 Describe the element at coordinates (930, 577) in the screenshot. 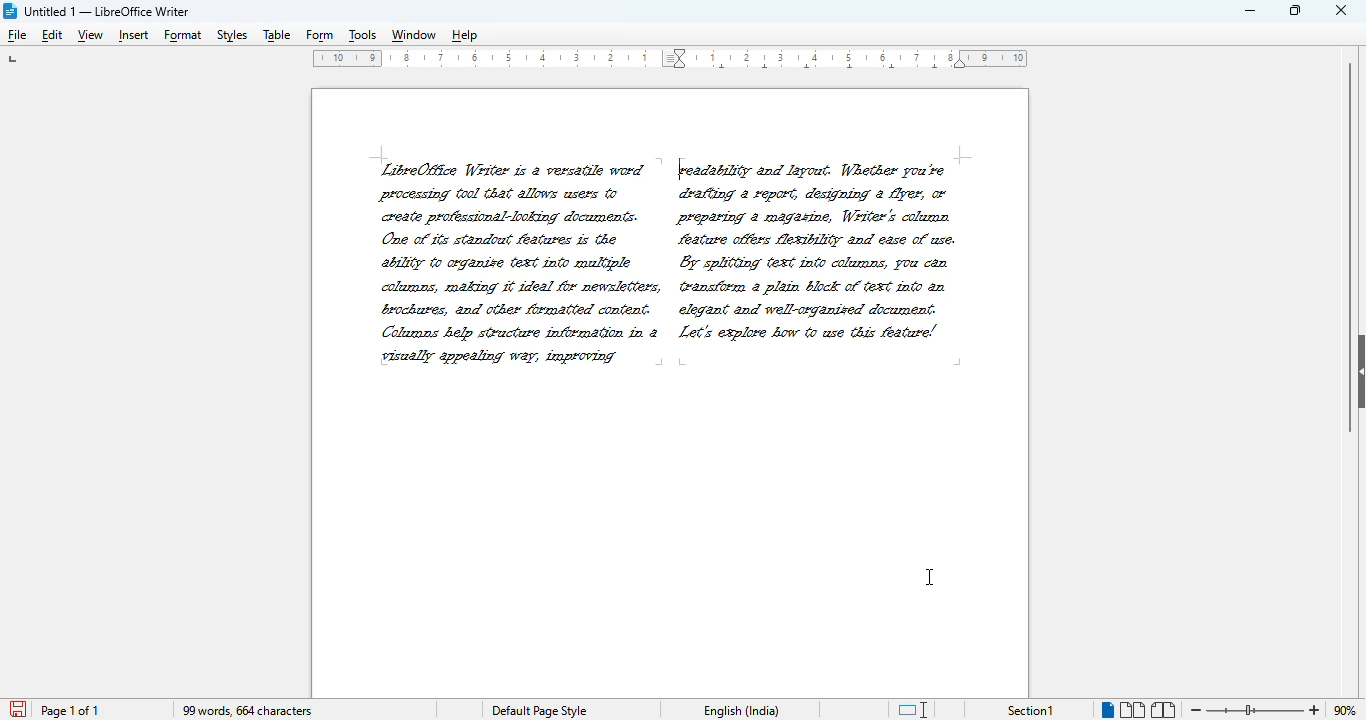

I see `cursor` at that location.